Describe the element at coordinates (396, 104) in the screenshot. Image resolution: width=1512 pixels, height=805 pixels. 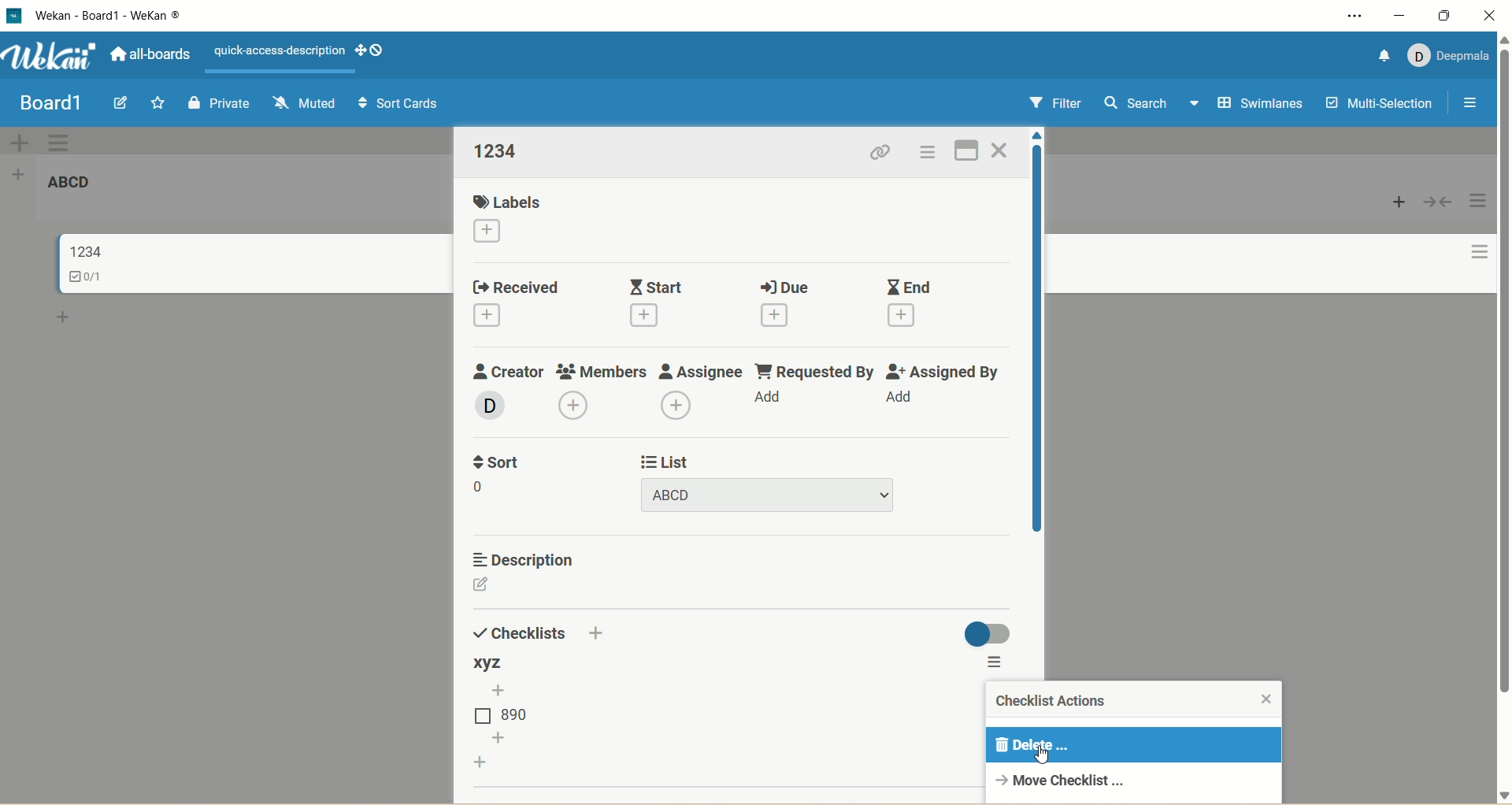
I see `sort cards` at that location.